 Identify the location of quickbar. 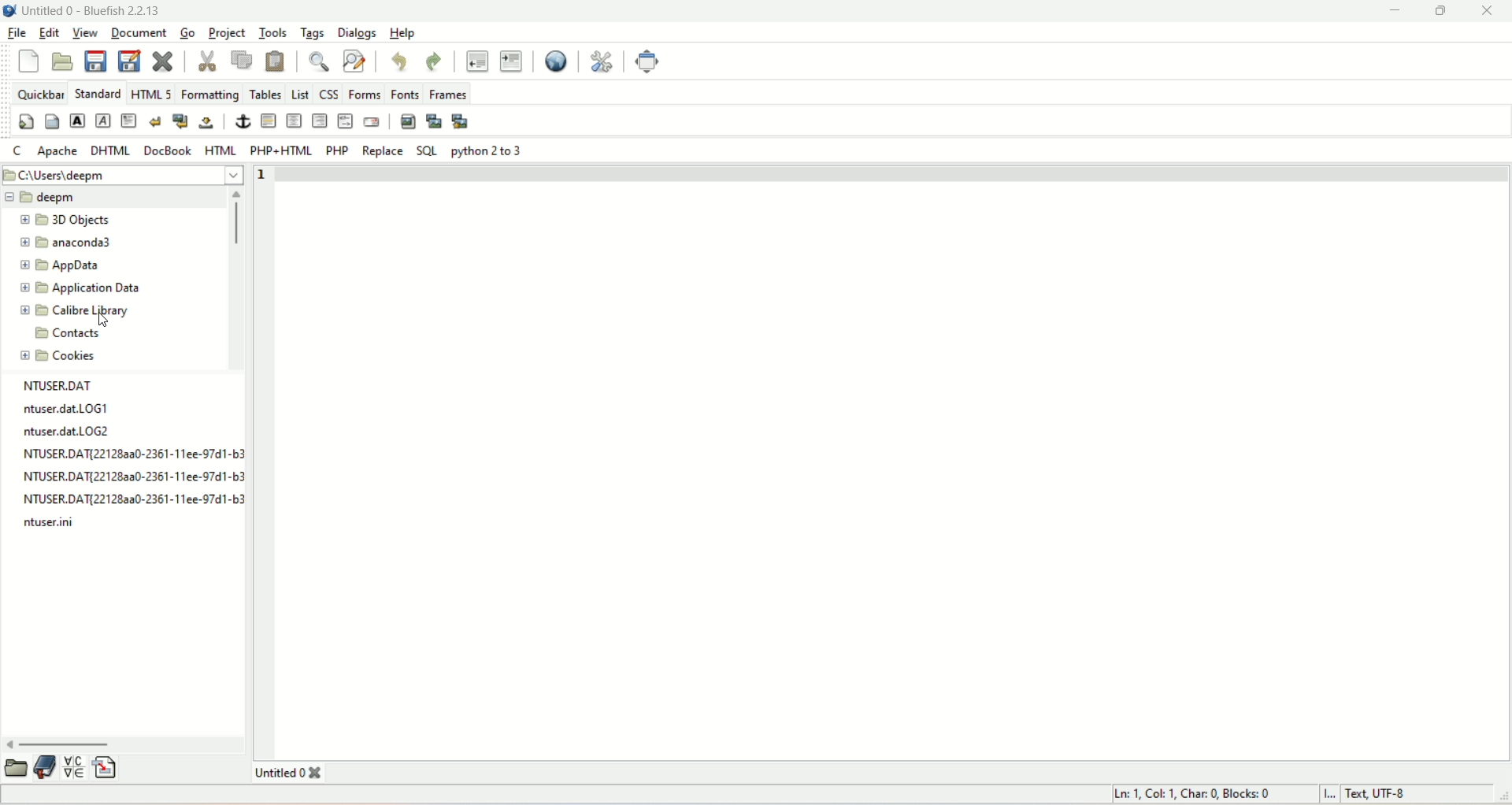
(39, 95).